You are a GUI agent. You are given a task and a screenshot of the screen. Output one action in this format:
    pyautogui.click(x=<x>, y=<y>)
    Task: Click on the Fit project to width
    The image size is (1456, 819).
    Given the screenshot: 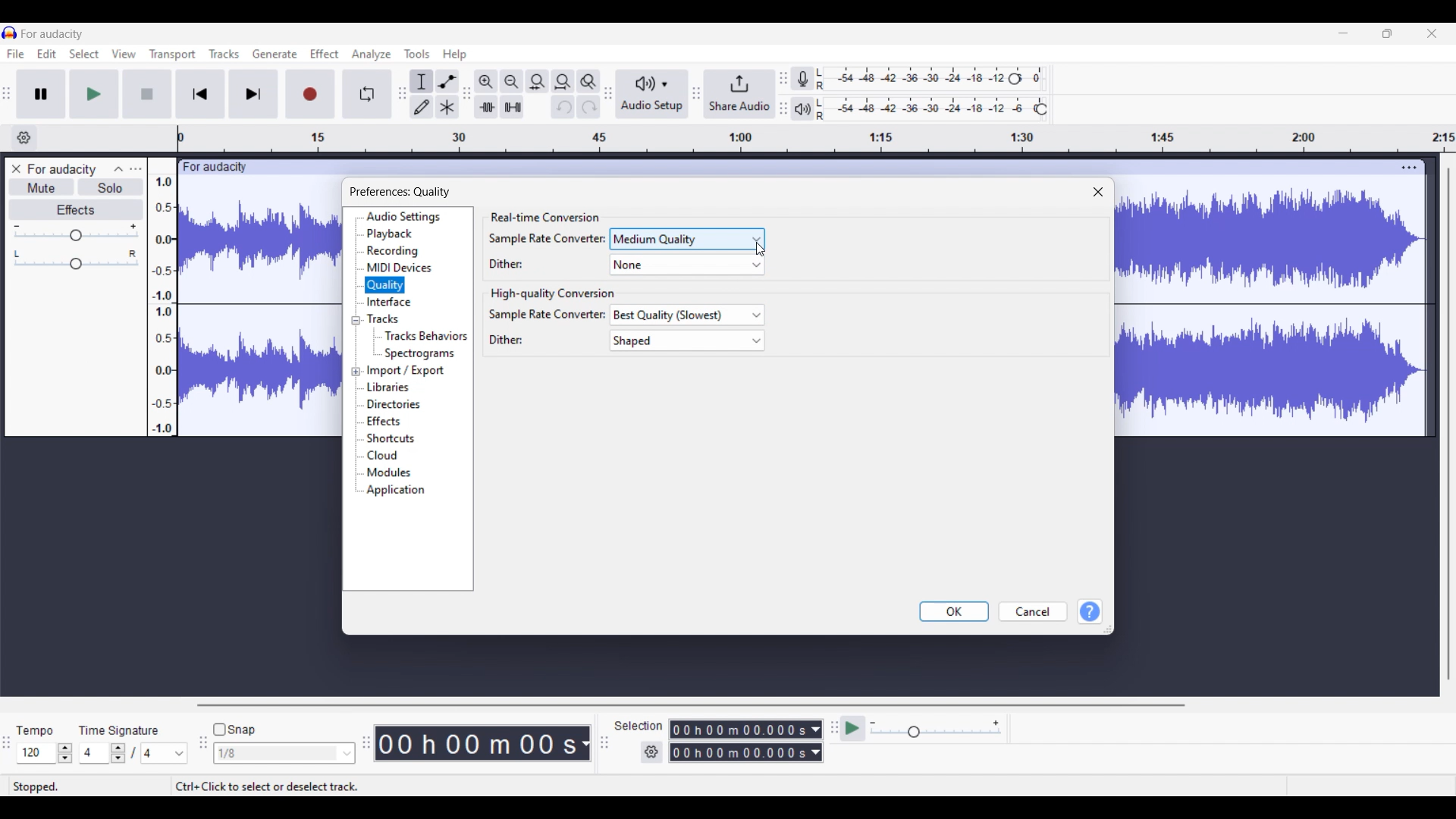 What is the action you would take?
    pyautogui.click(x=563, y=82)
    